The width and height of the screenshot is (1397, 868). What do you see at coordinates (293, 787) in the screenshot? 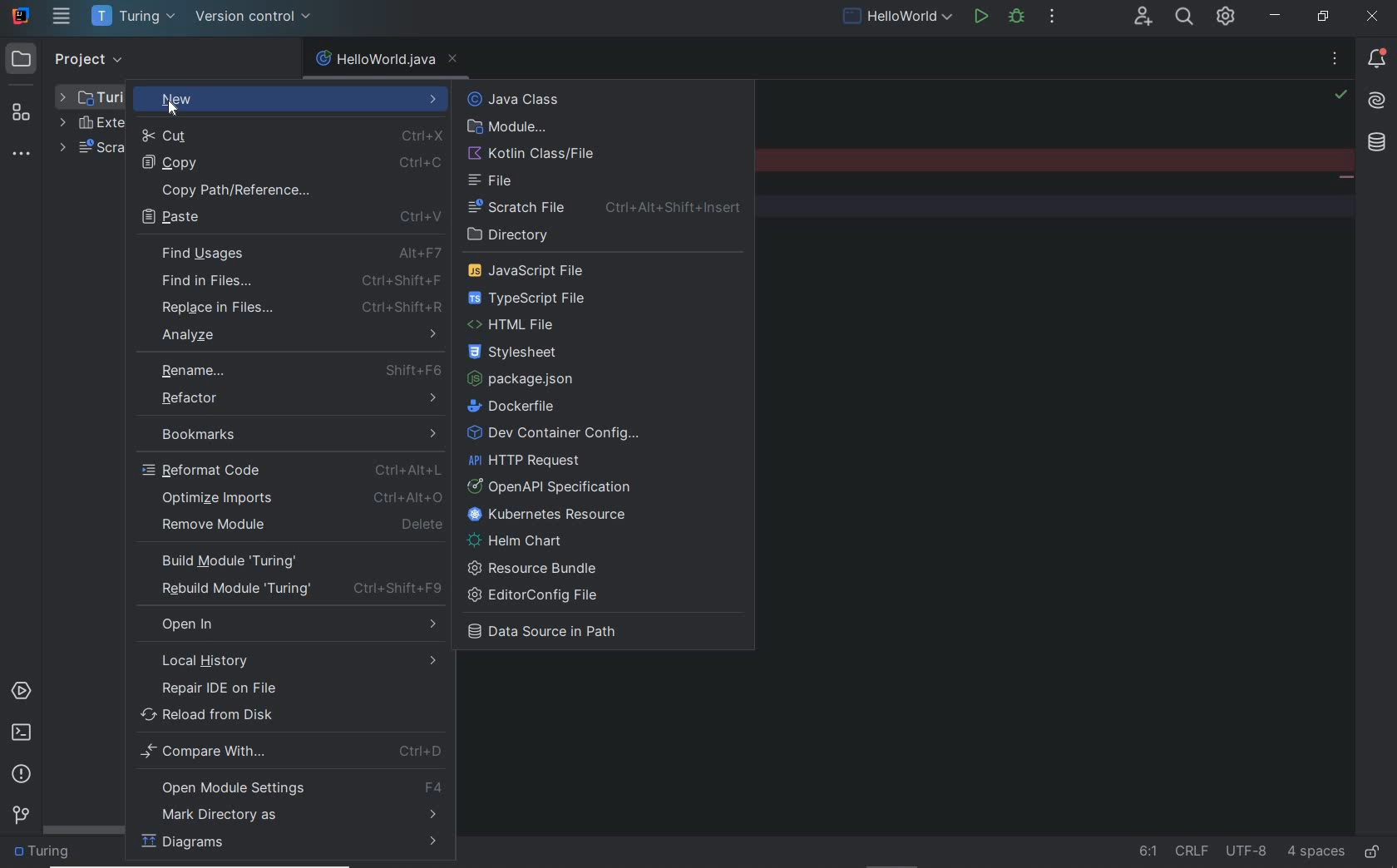
I see `open module settings` at bounding box center [293, 787].